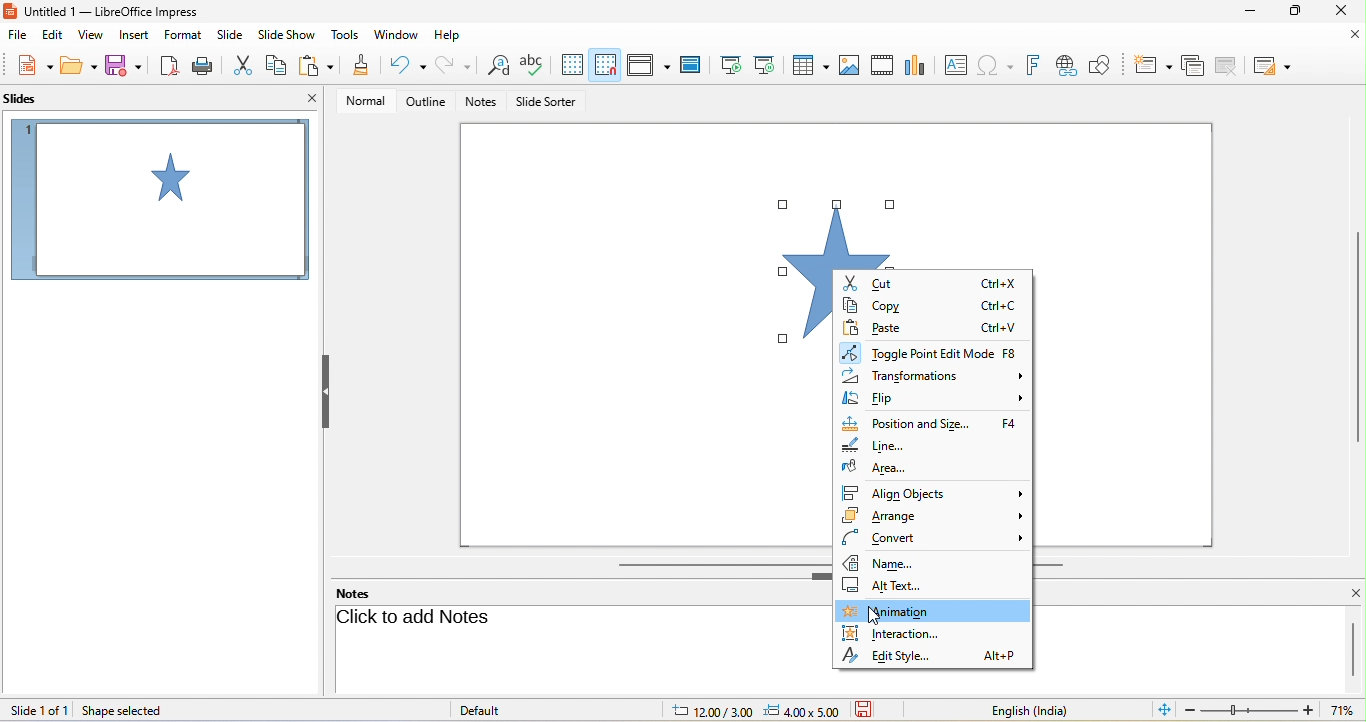  I want to click on table, so click(807, 64).